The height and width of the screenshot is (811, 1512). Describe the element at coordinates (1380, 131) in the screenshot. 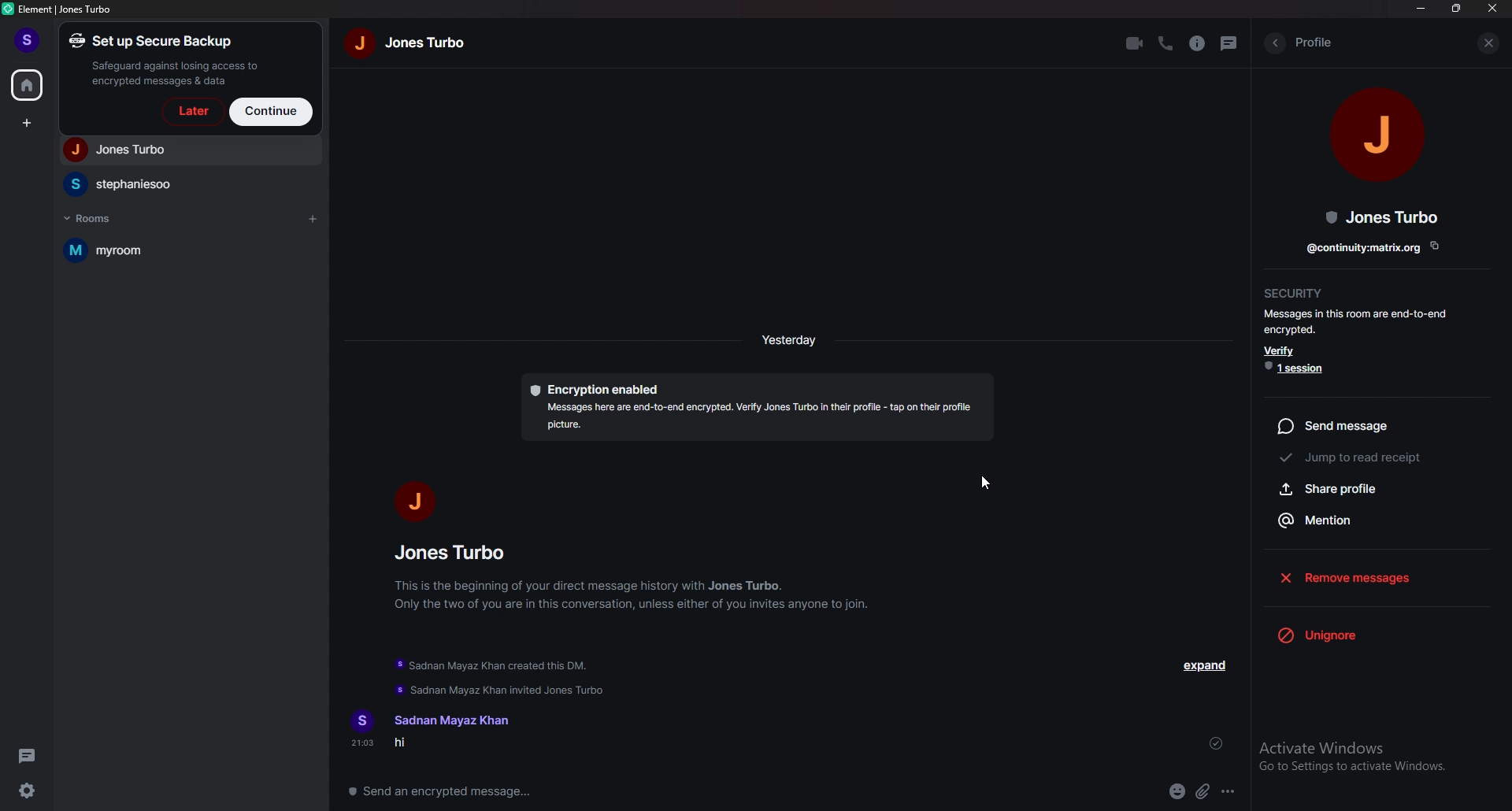

I see `people photo` at that location.